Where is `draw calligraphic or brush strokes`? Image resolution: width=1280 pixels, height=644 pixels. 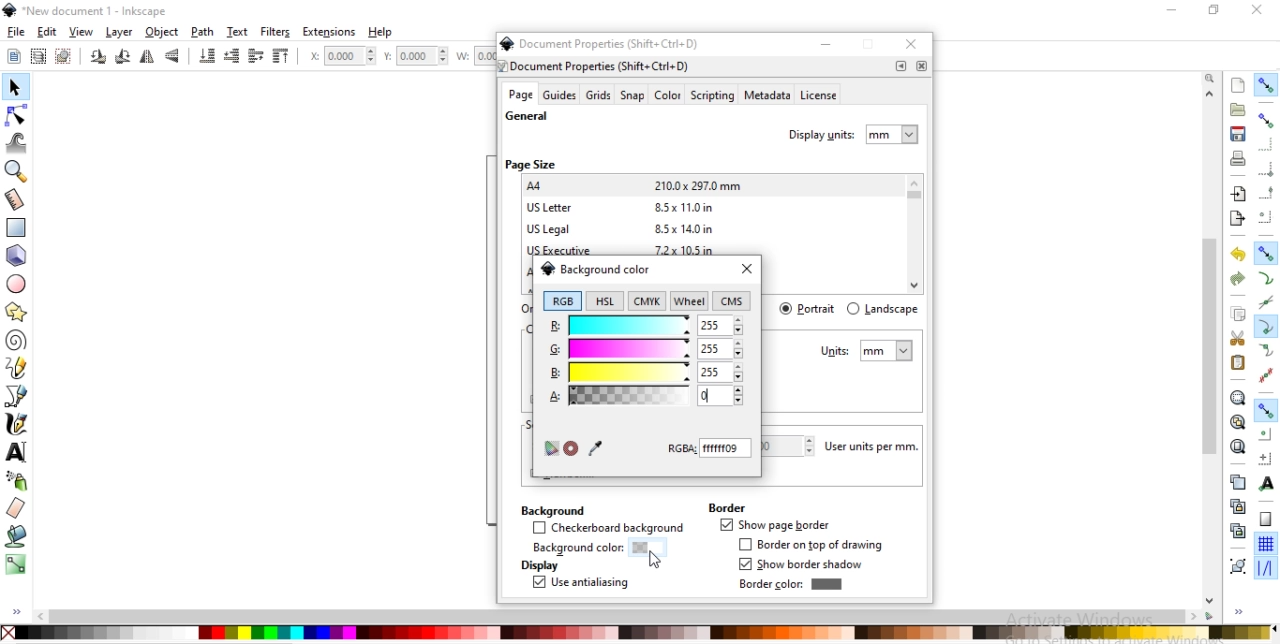 draw calligraphic or brush strokes is located at coordinates (19, 424).